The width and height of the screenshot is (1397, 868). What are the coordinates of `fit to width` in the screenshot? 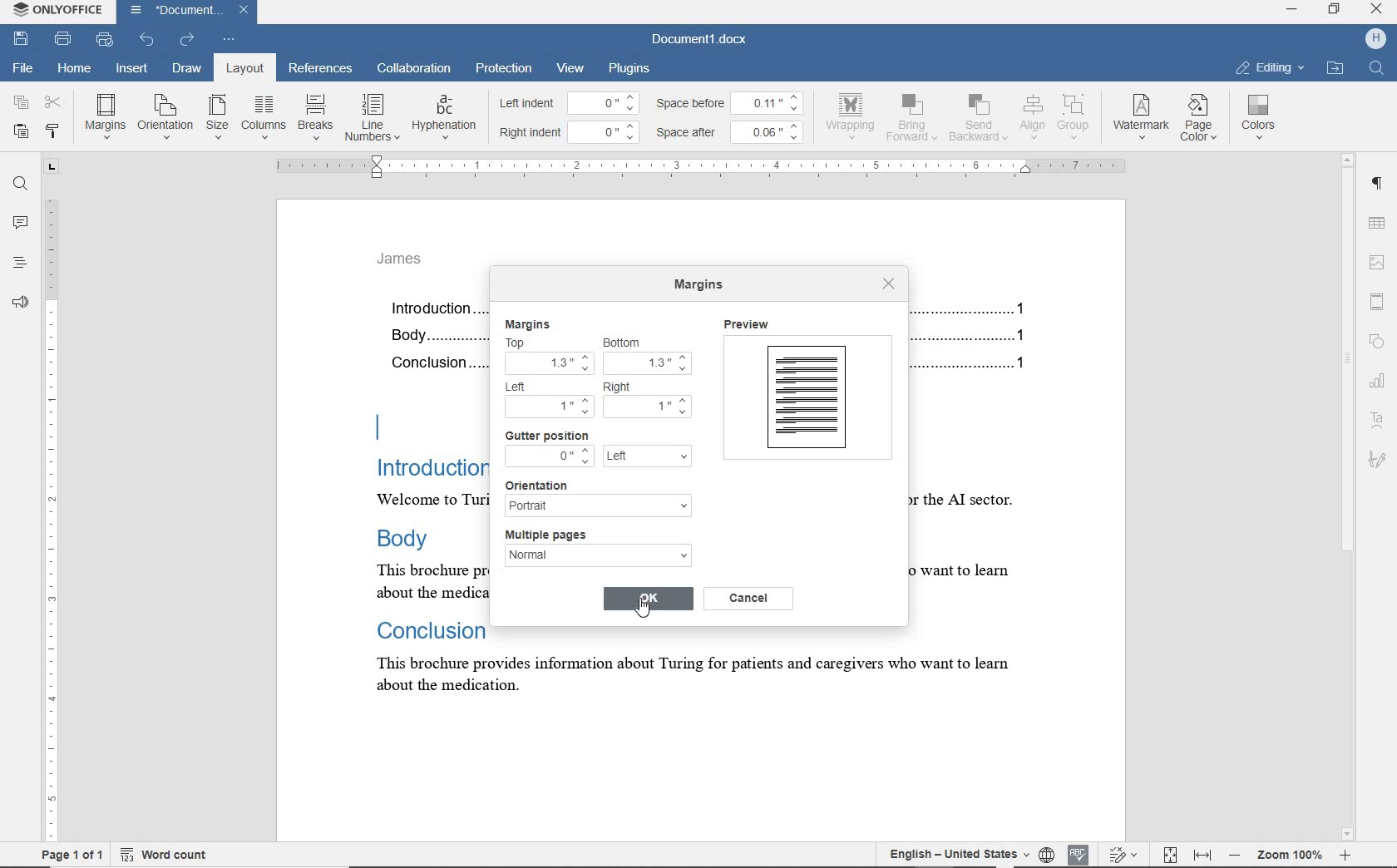 It's located at (1203, 854).